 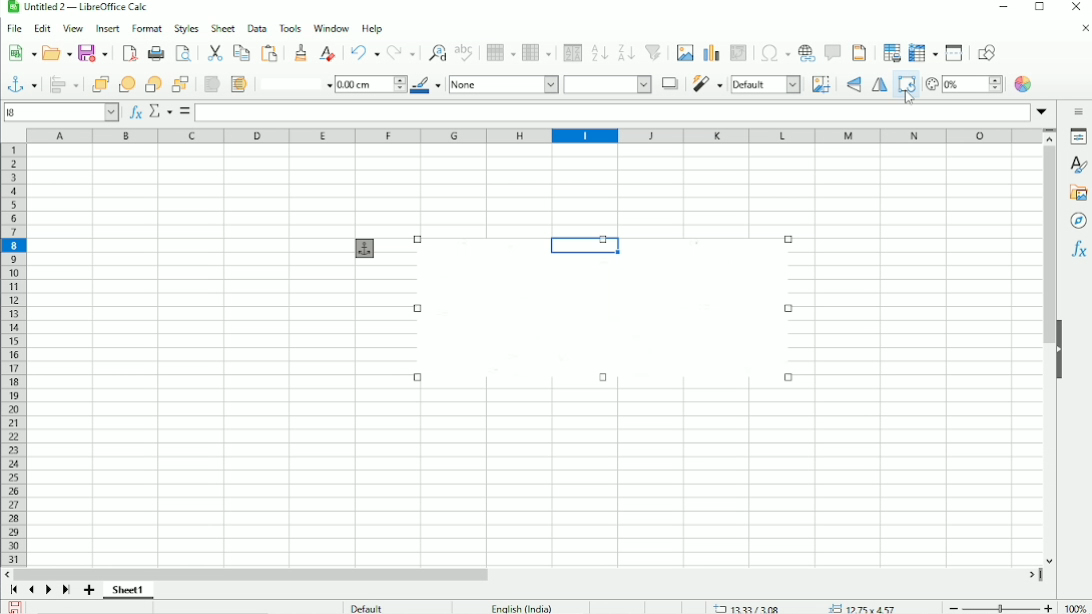 I want to click on Find and rest, so click(x=435, y=51).